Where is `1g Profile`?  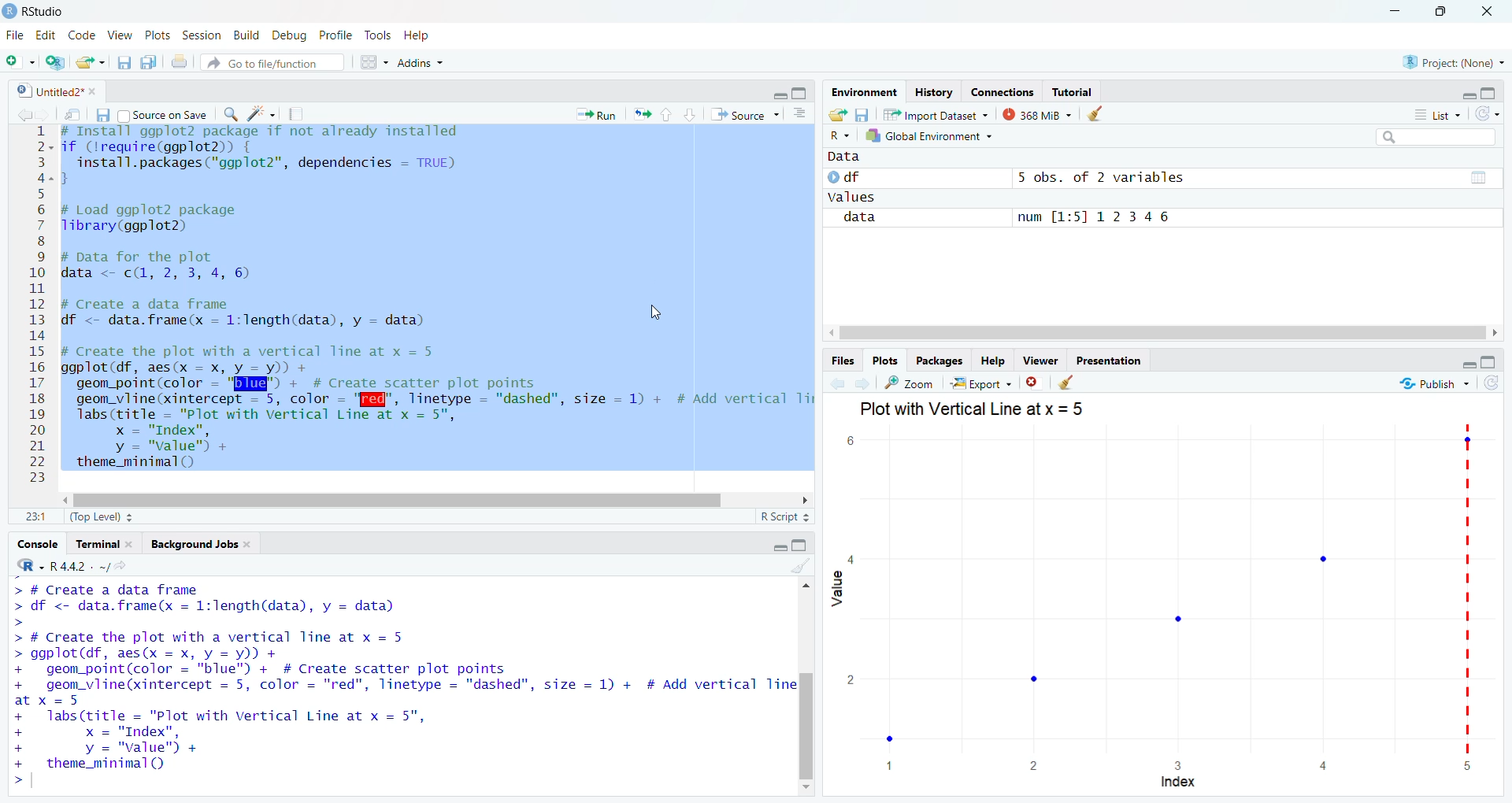
1g Profile is located at coordinates (335, 36).